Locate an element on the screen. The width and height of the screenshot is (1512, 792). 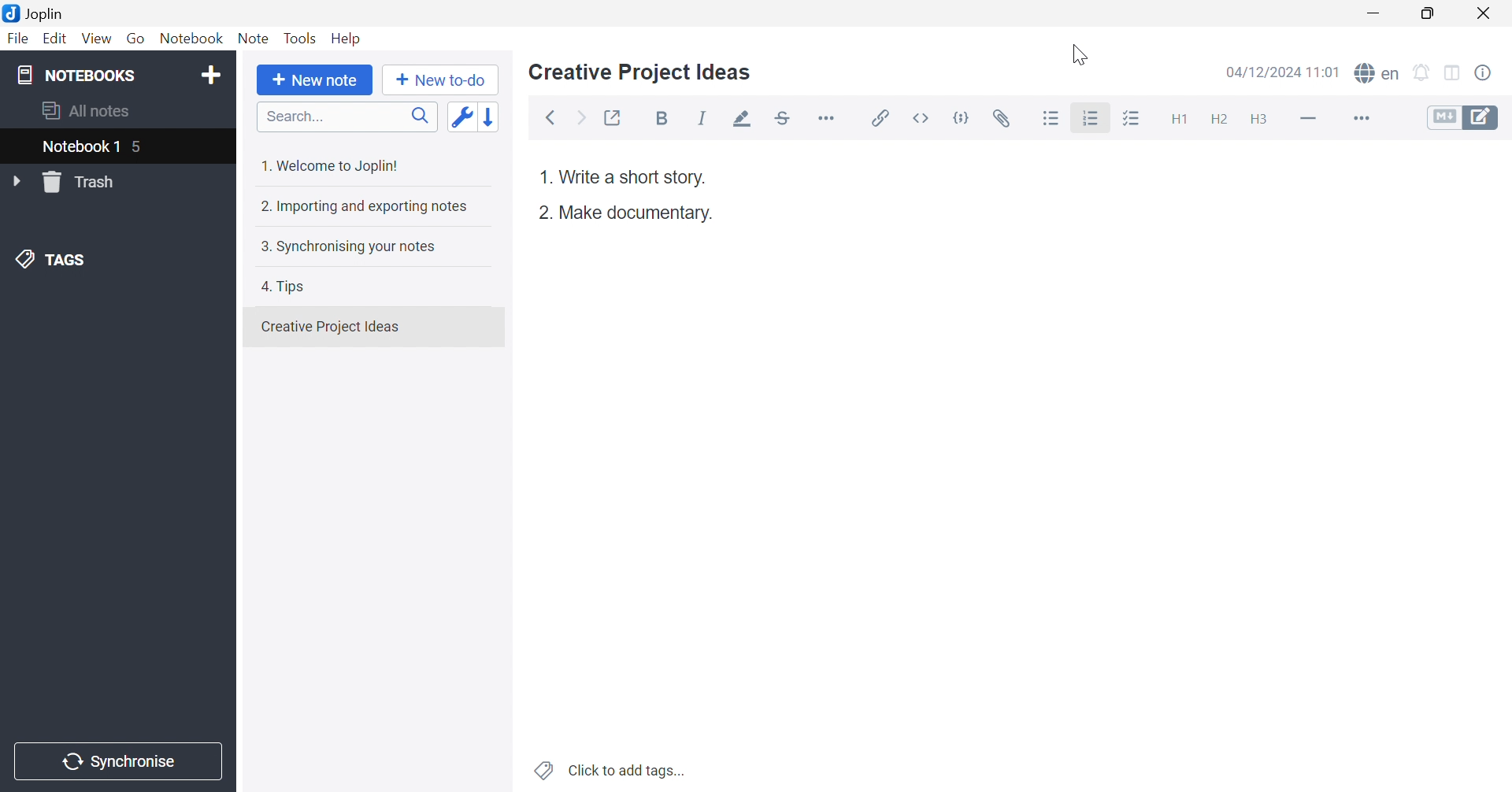
Add notebook is located at coordinates (211, 73).